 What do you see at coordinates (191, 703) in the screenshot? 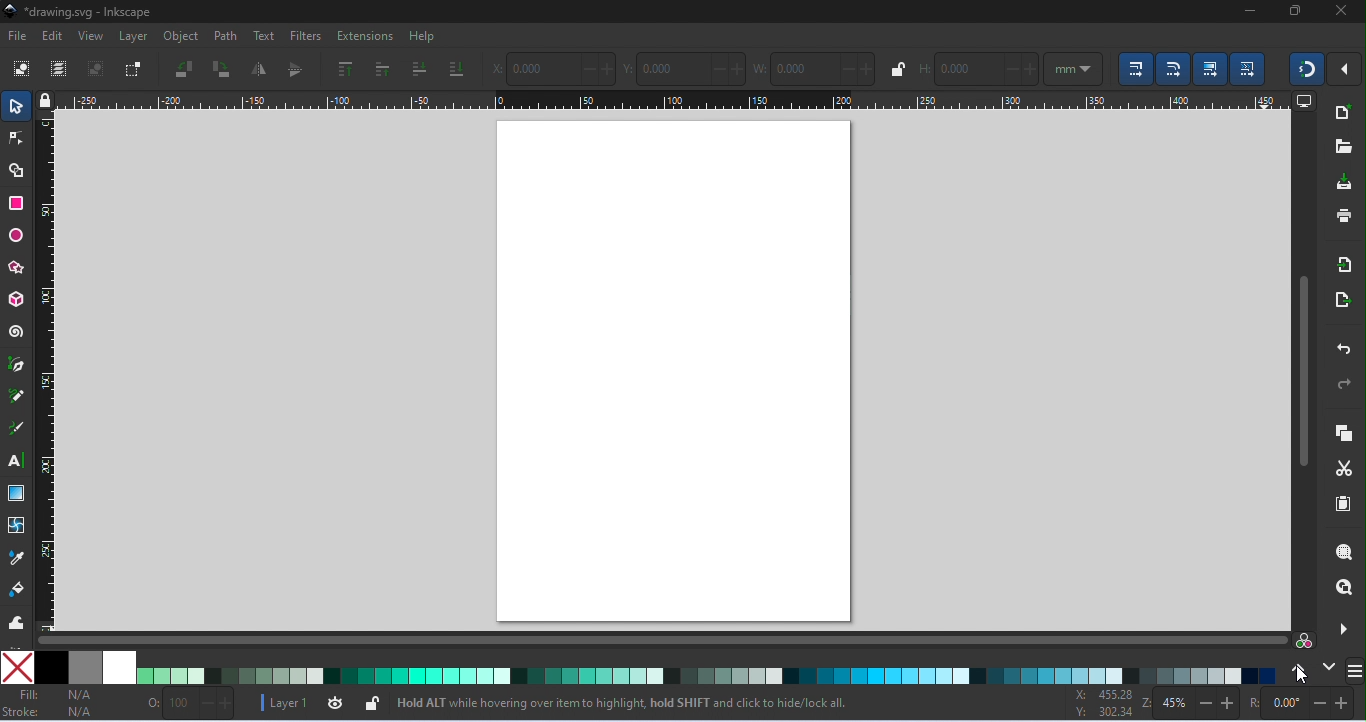
I see `opacity` at bounding box center [191, 703].